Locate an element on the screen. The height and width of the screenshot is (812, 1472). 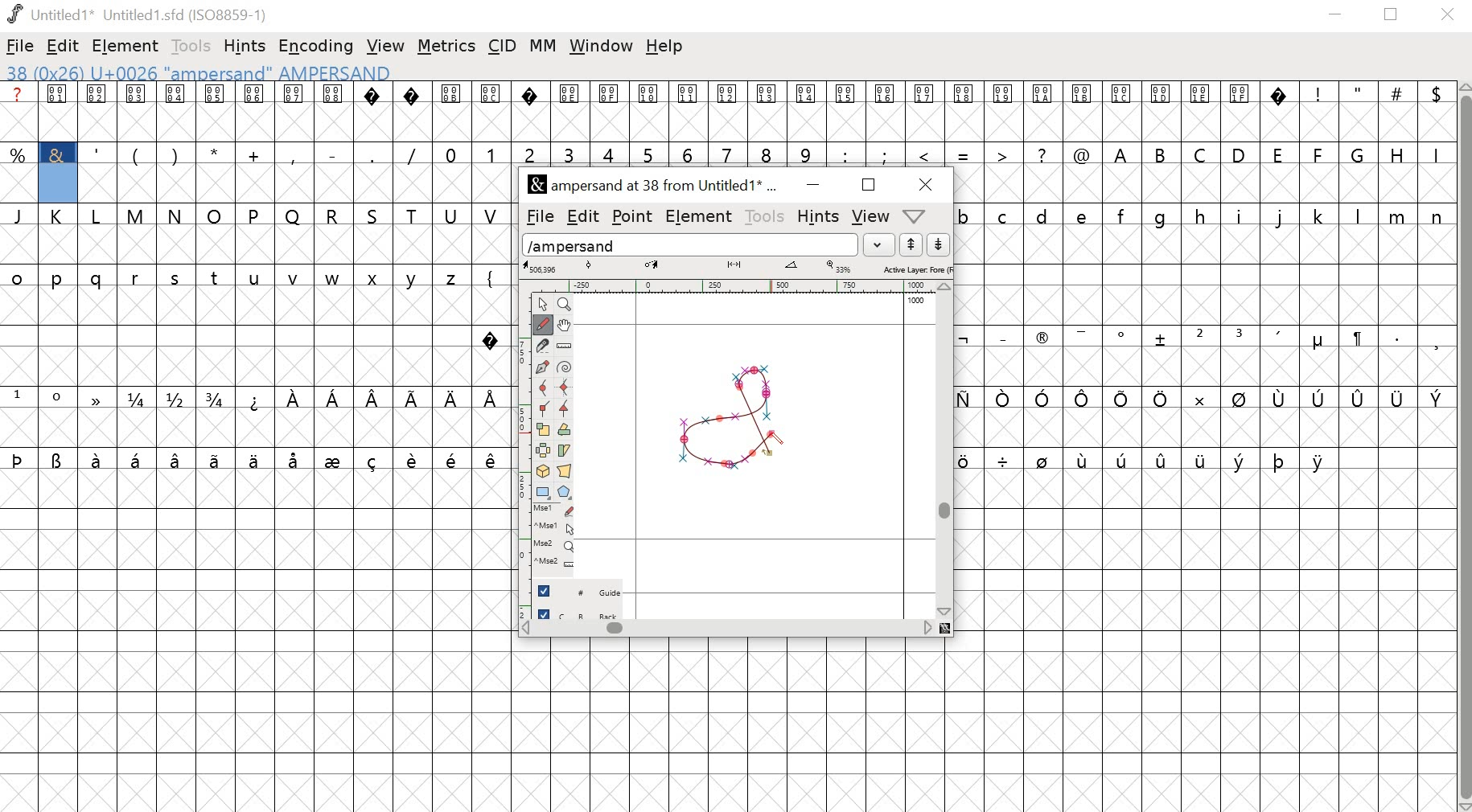
pointer is located at coordinates (541, 303).